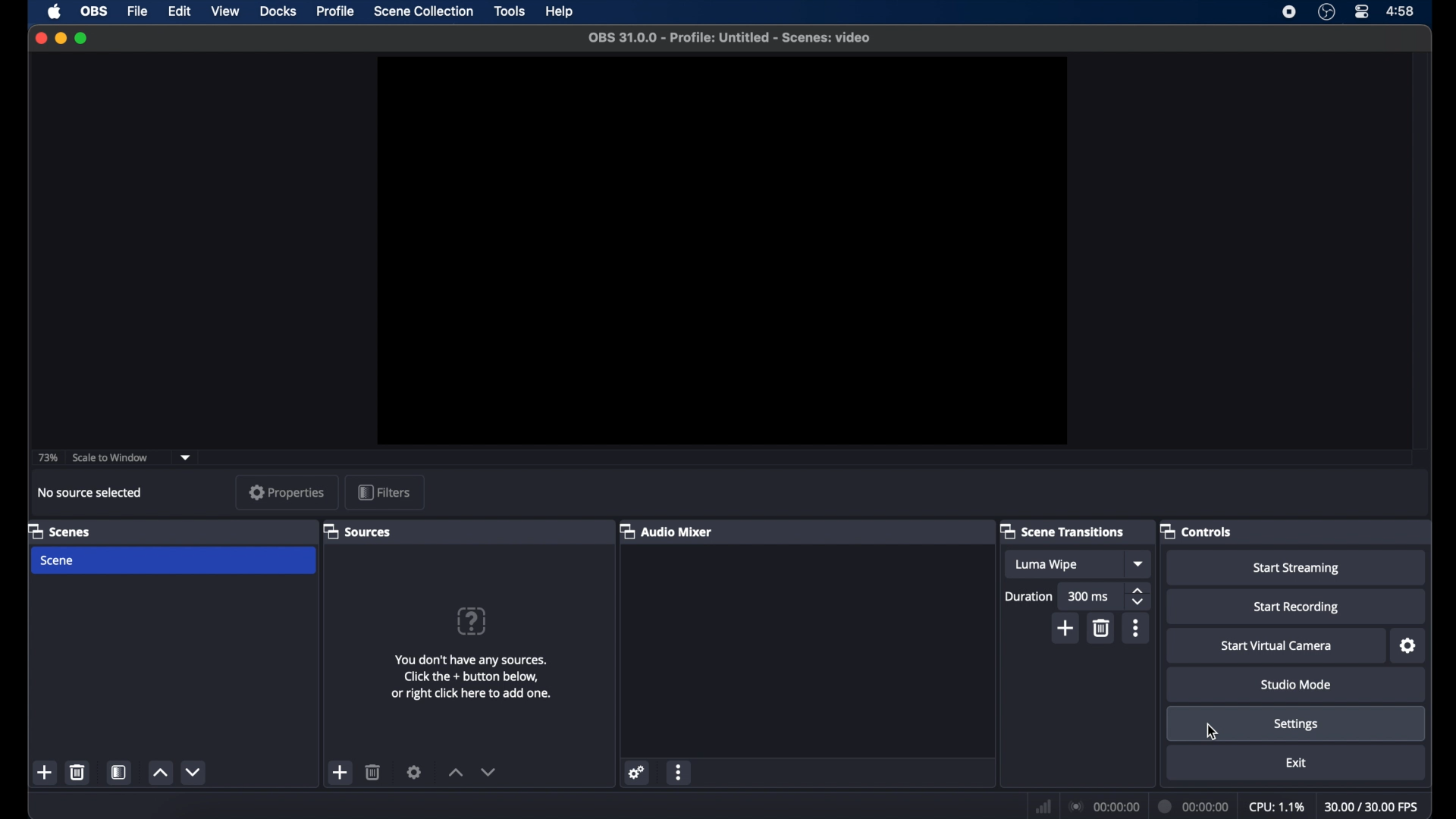 The image size is (1456, 819). What do you see at coordinates (178, 11) in the screenshot?
I see `edit` at bounding box center [178, 11].